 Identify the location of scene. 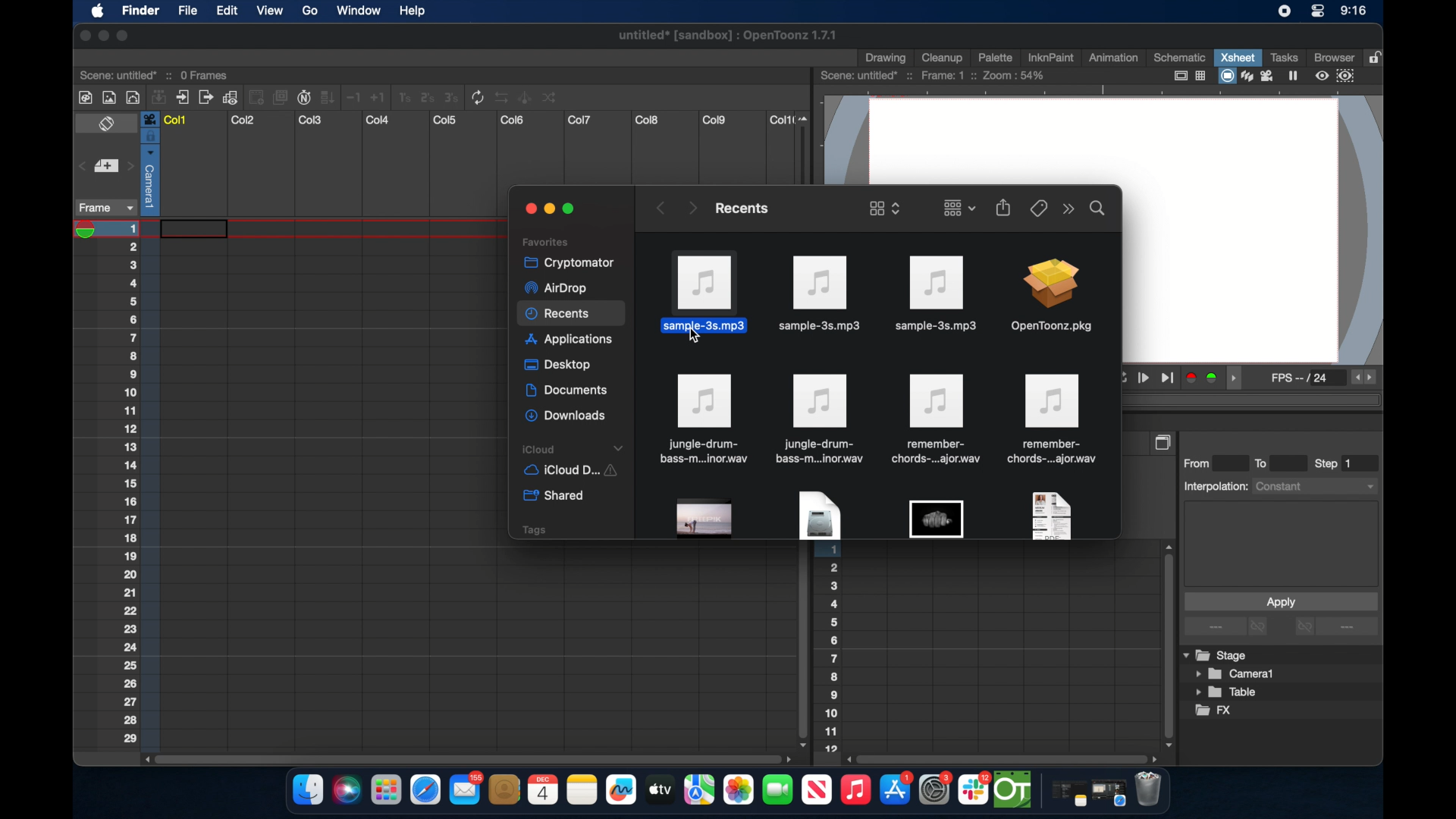
(155, 74).